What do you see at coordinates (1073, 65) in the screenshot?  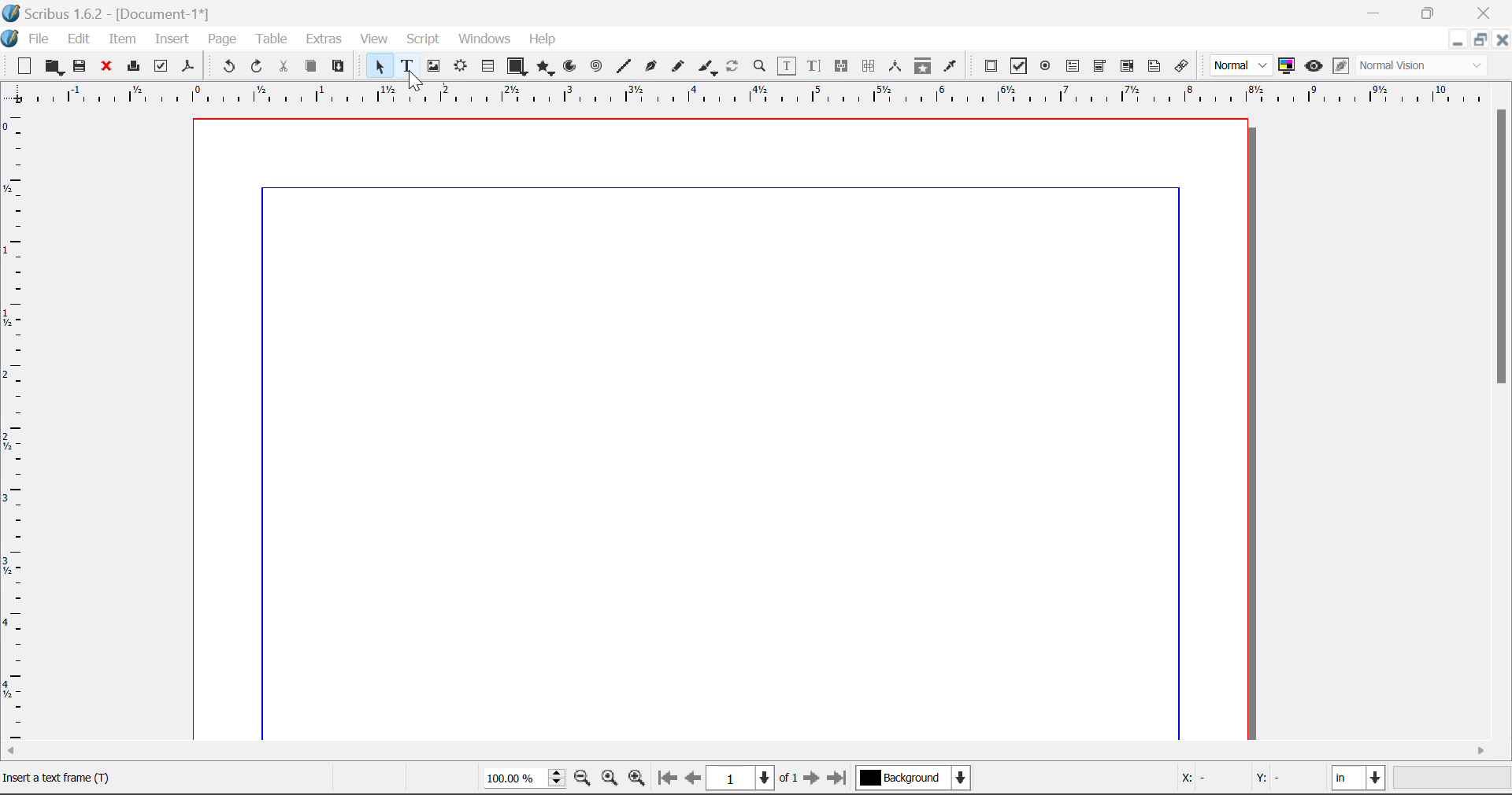 I see `Pdf Text Field` at bounding box center [1073, 65].